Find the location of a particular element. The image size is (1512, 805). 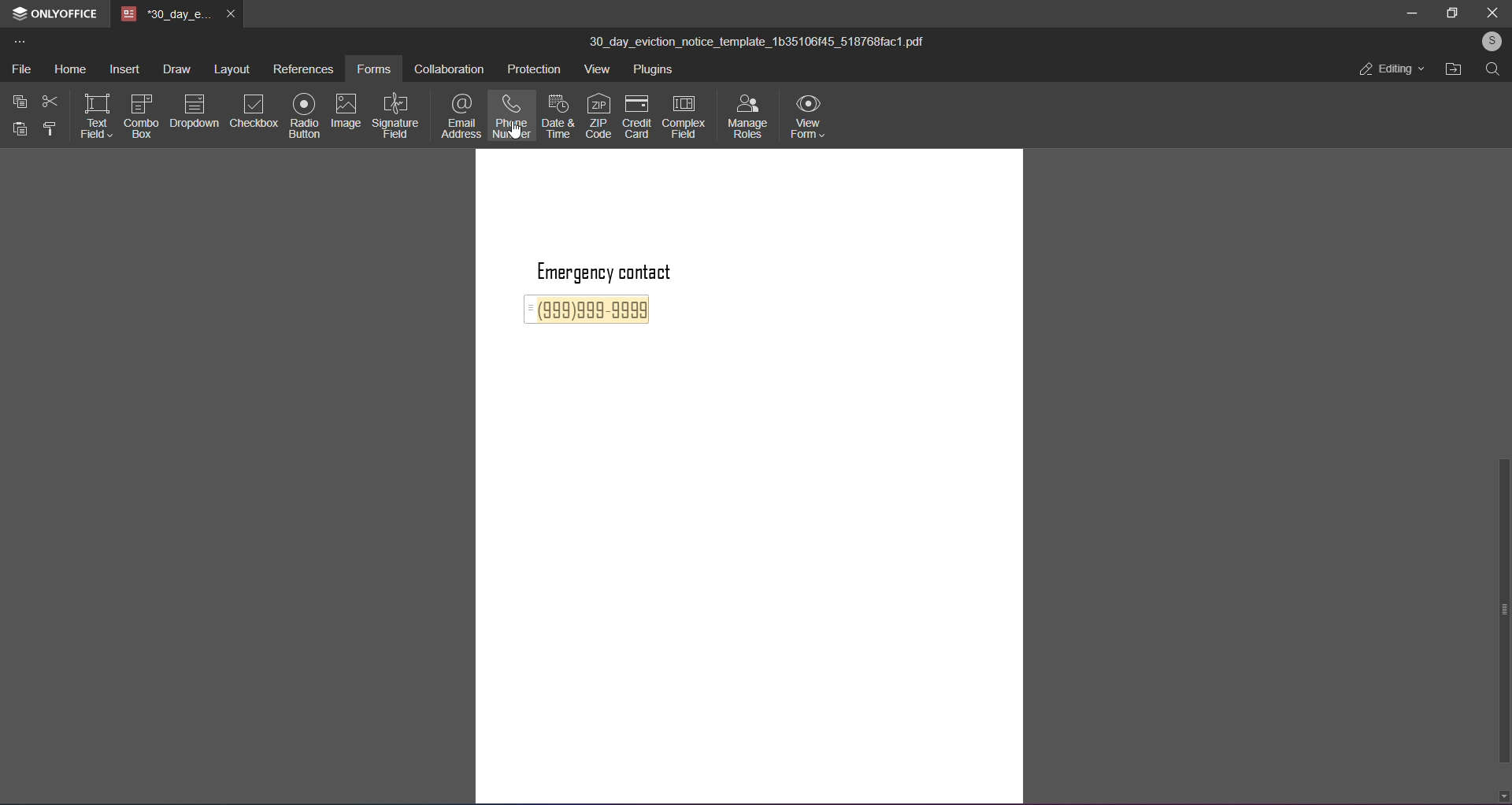

view is located at coordinates (597, 70).